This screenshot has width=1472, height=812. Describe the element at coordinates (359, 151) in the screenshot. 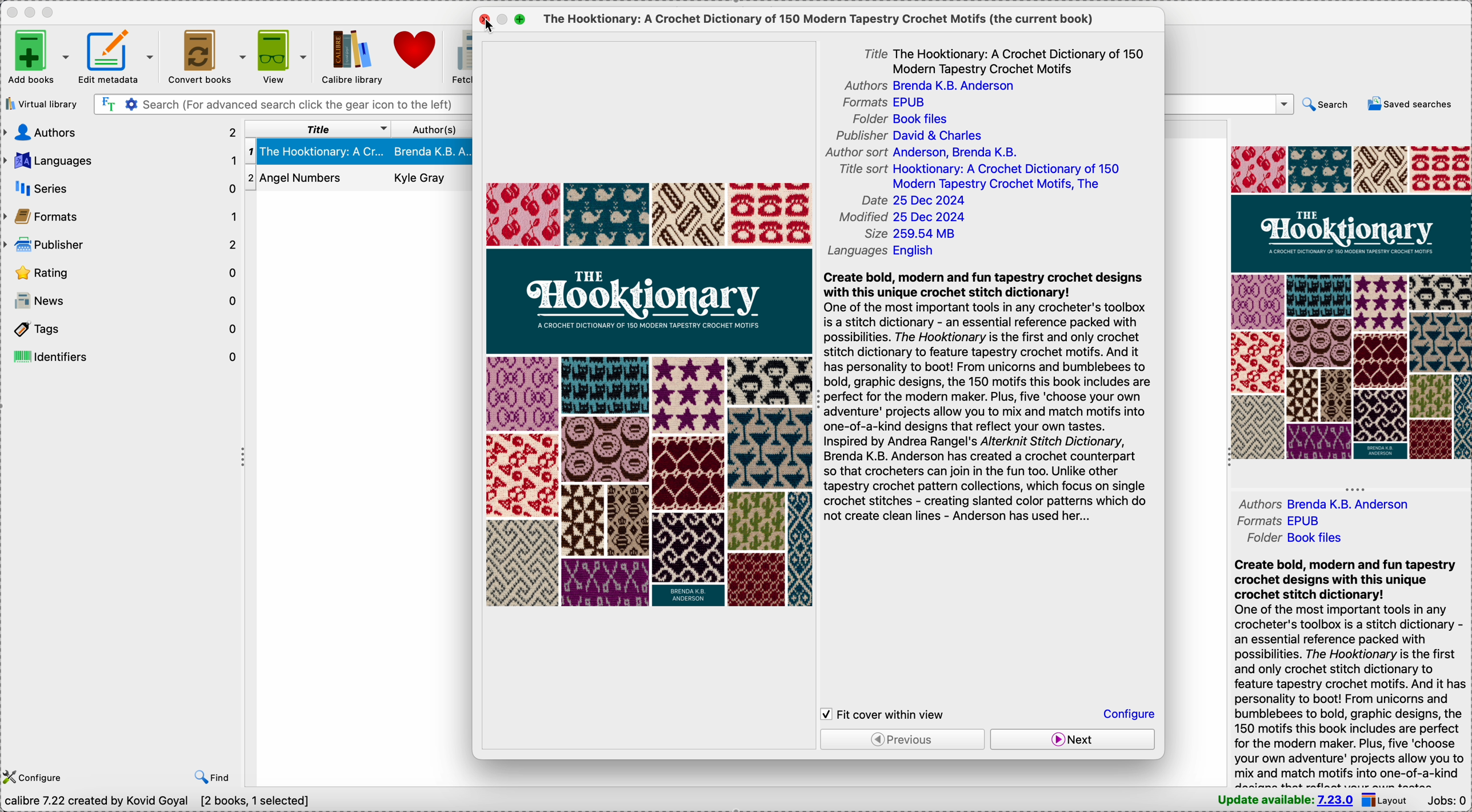

I see `The Hooktionary book` at that location.